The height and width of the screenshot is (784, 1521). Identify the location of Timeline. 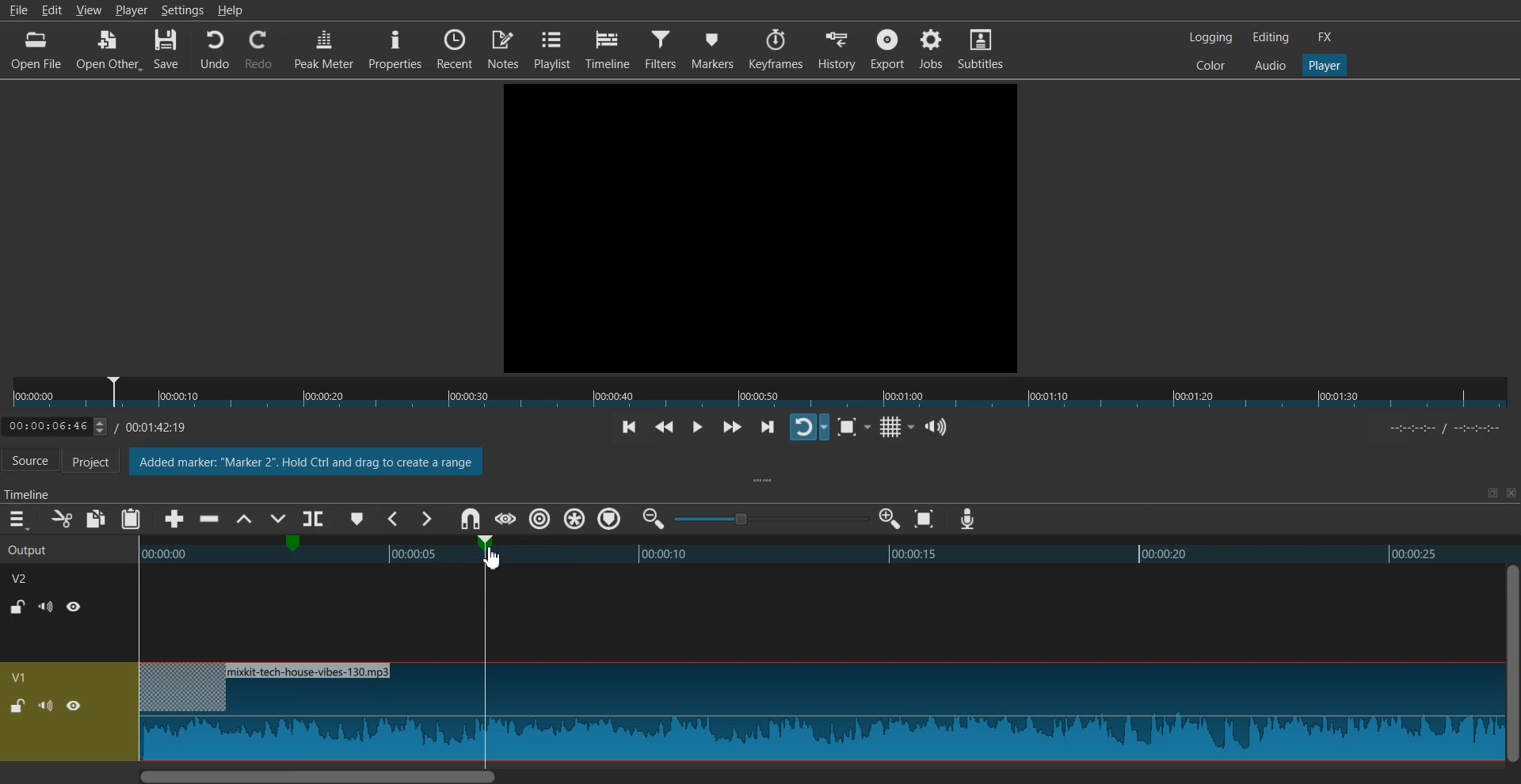
(608, 49).